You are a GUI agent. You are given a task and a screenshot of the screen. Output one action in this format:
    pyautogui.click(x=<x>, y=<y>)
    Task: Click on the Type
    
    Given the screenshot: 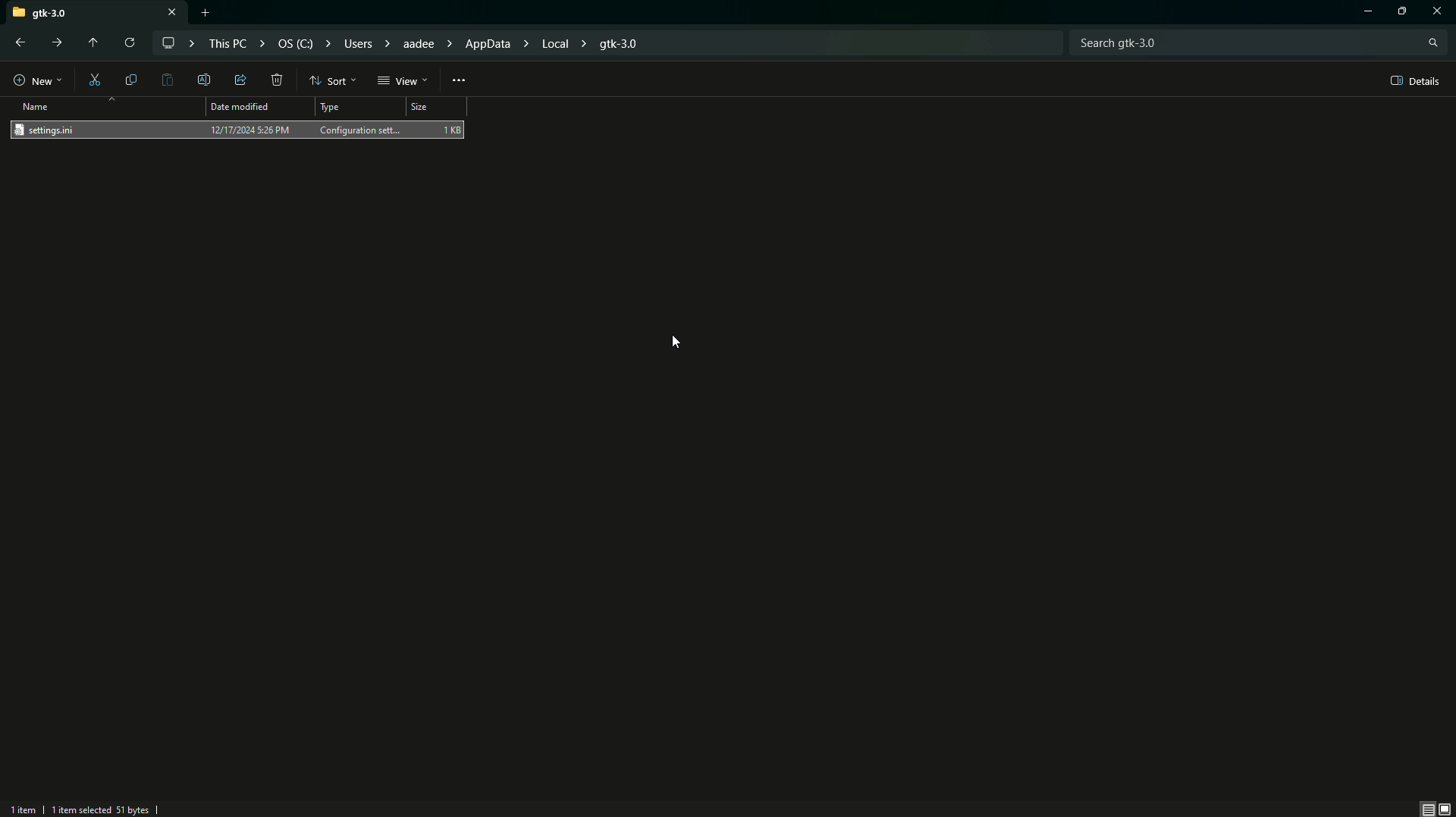 What is the action you would take?
    pyautogui.click(x=332, y=108)
    